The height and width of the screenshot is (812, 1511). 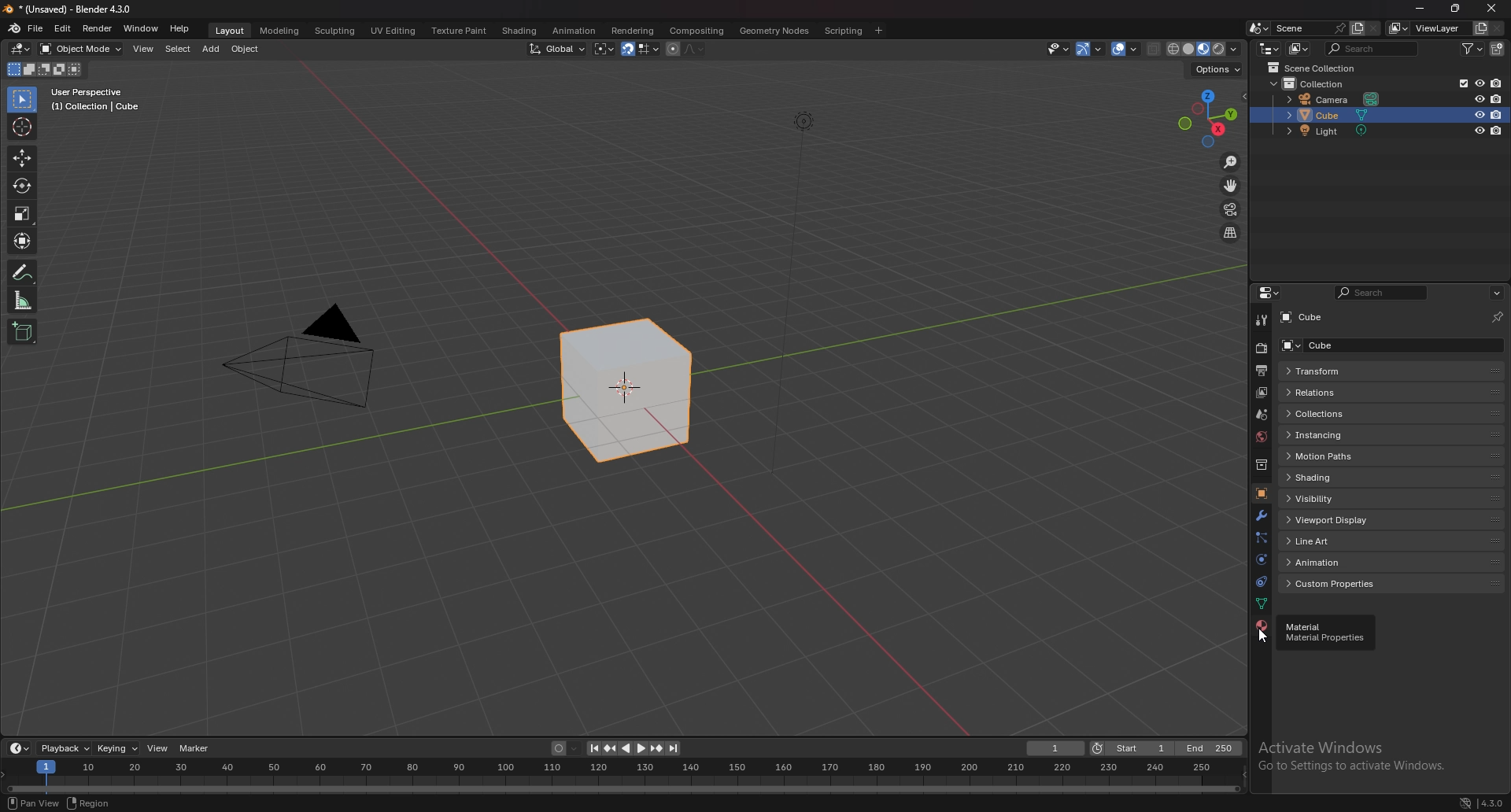 What do you see at coordinates (1232, 186) in the screenshot?
I see `move` at bounding box center [1232, 186].